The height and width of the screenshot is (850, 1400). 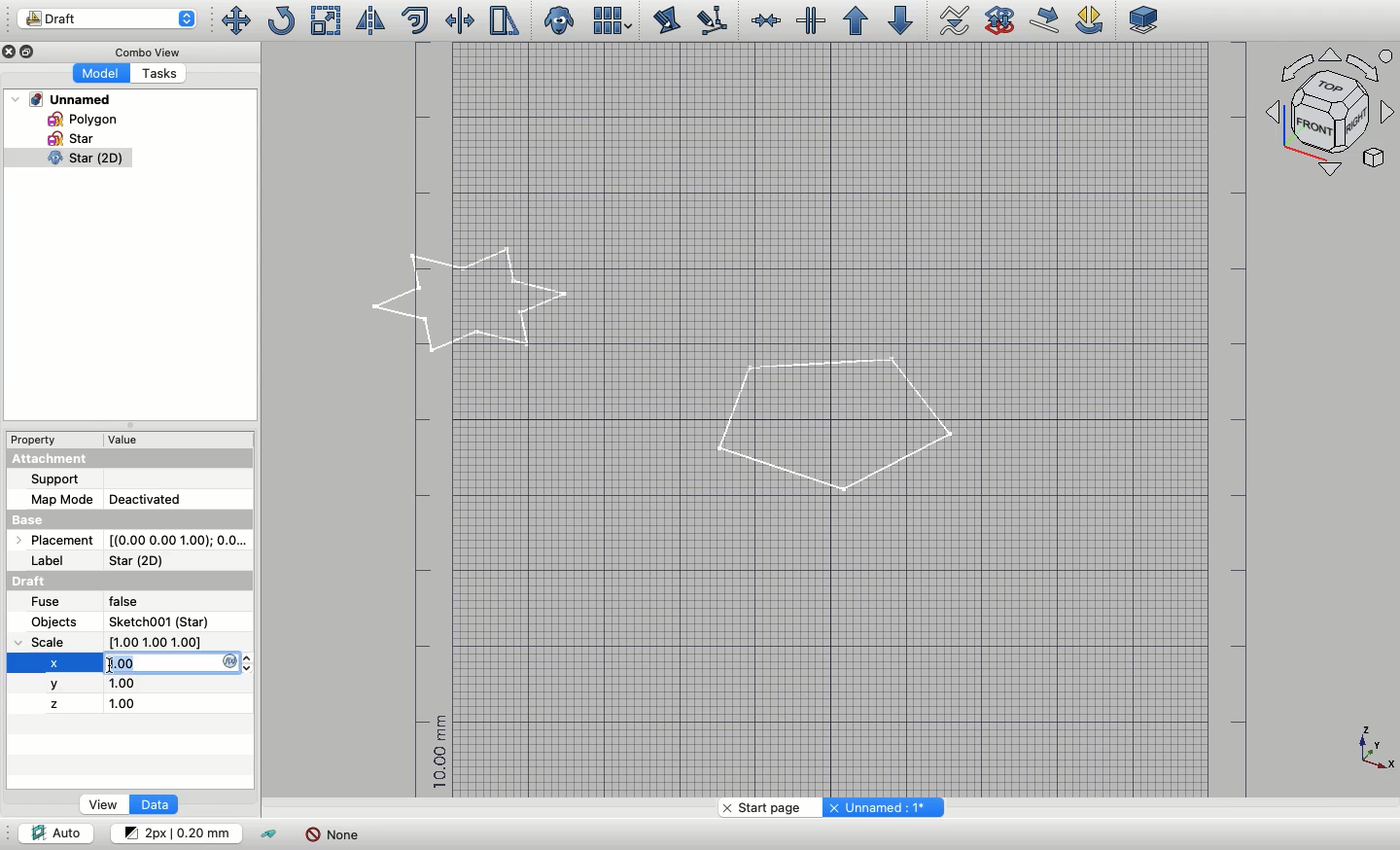 What do you see at coordinates (177, 541) in the screenshot?
I see `[(0.00 0.00 1.00); 0.0..` at bounding box center [177, 541].